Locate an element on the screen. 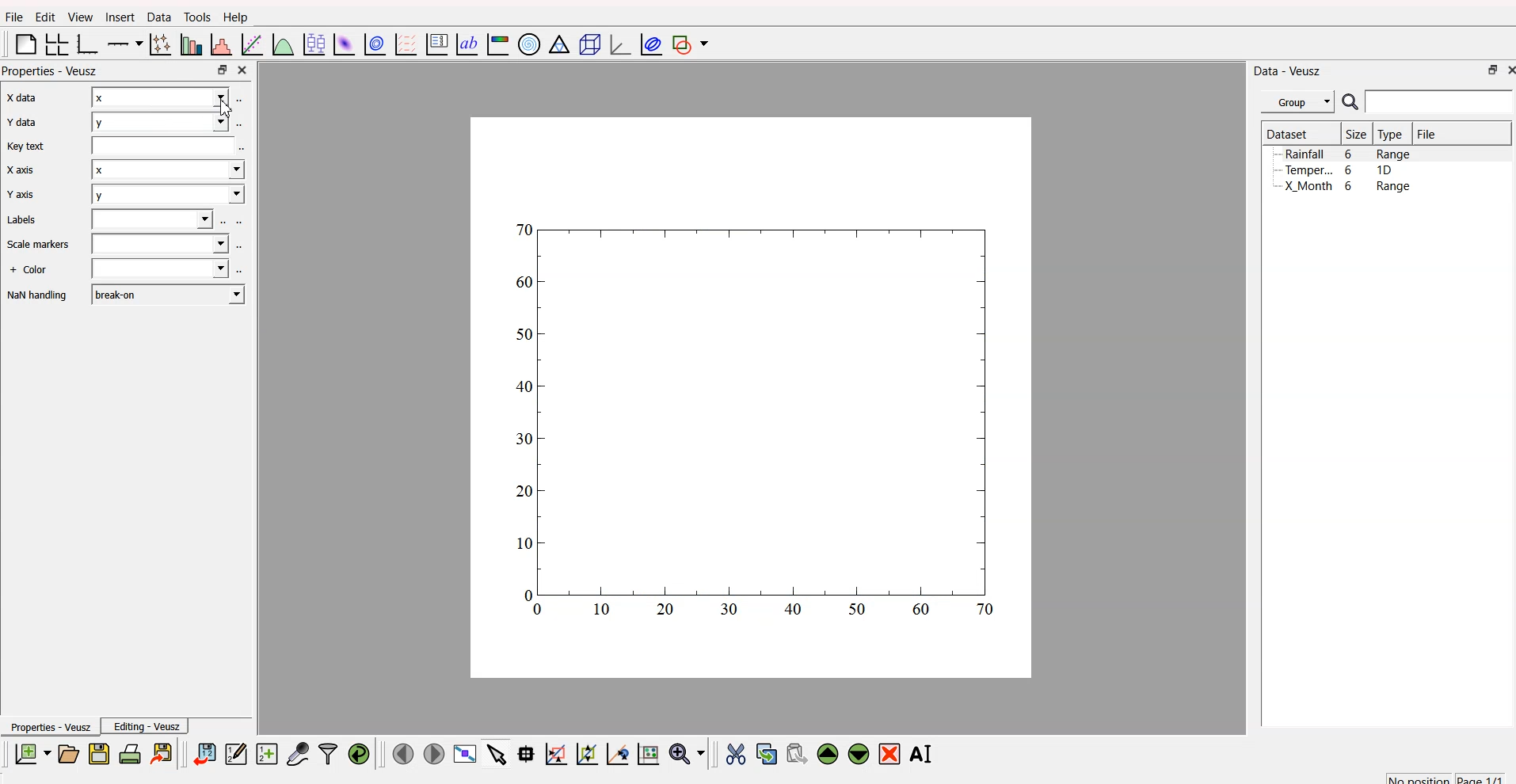 The image size is (1516, 784). plot on axis is located at coordinates (126, 43).